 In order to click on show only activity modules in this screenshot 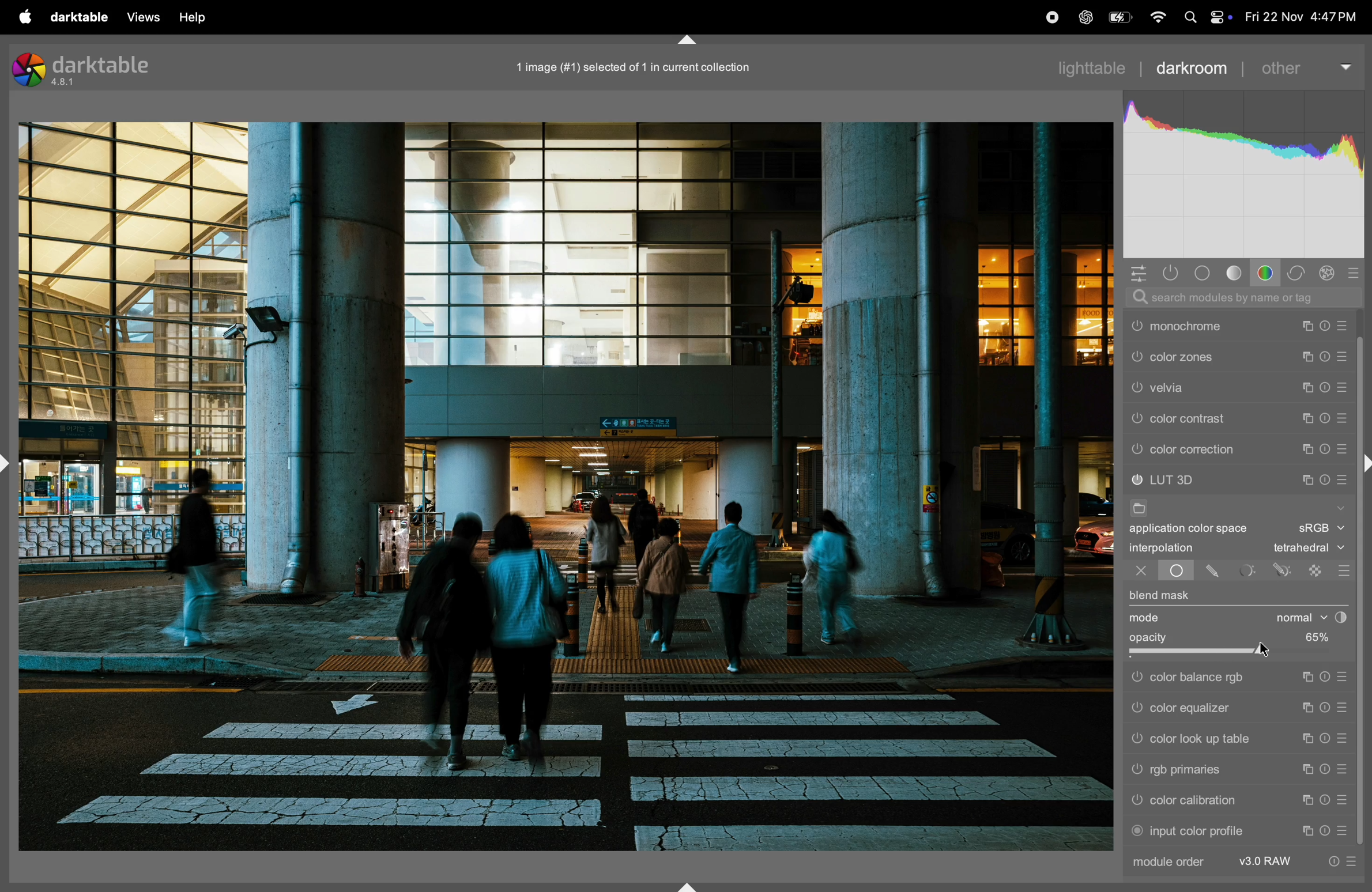, I will do `click(1171, 274)`.